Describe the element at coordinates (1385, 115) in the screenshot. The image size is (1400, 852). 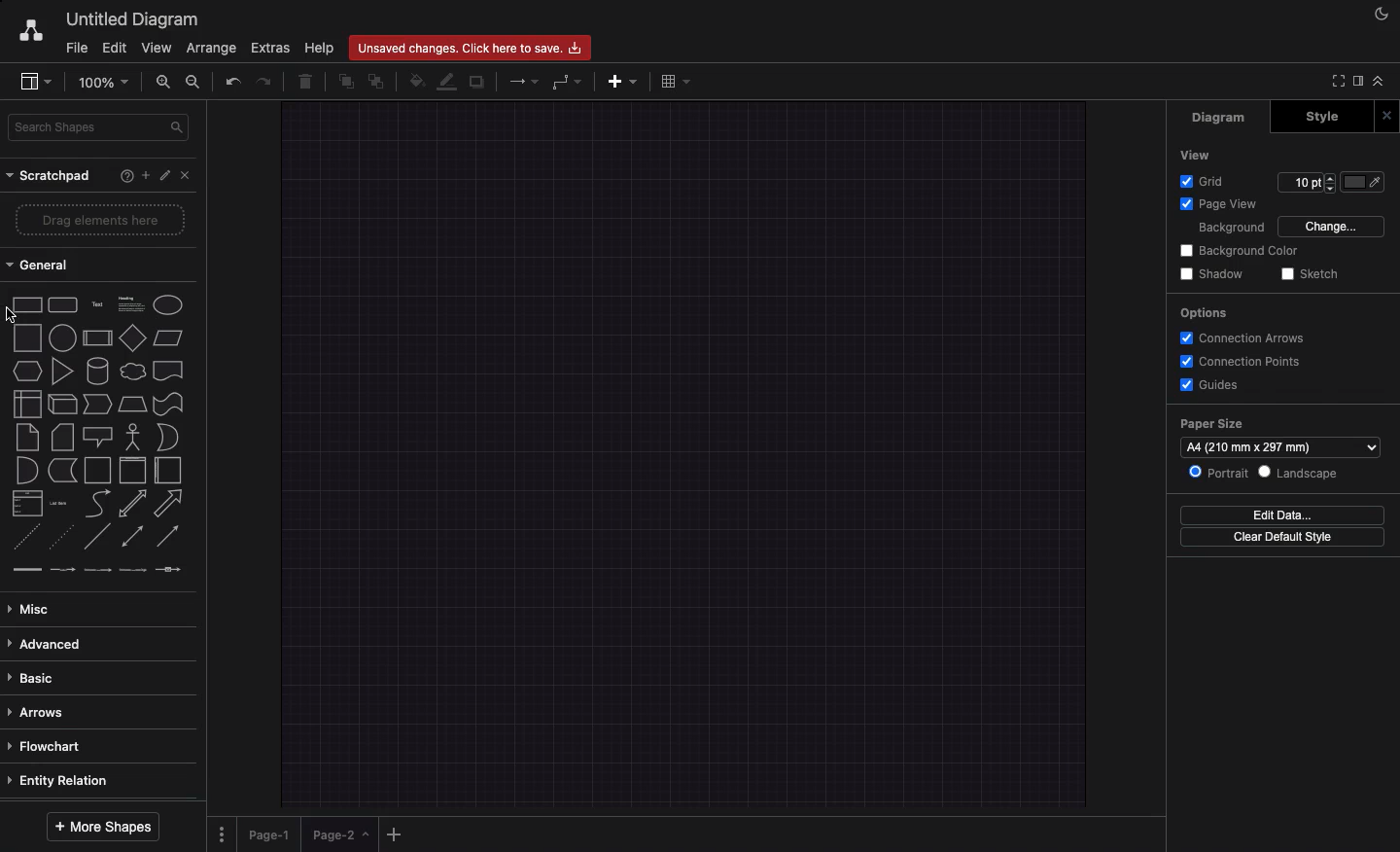
I see `Close` at that location.